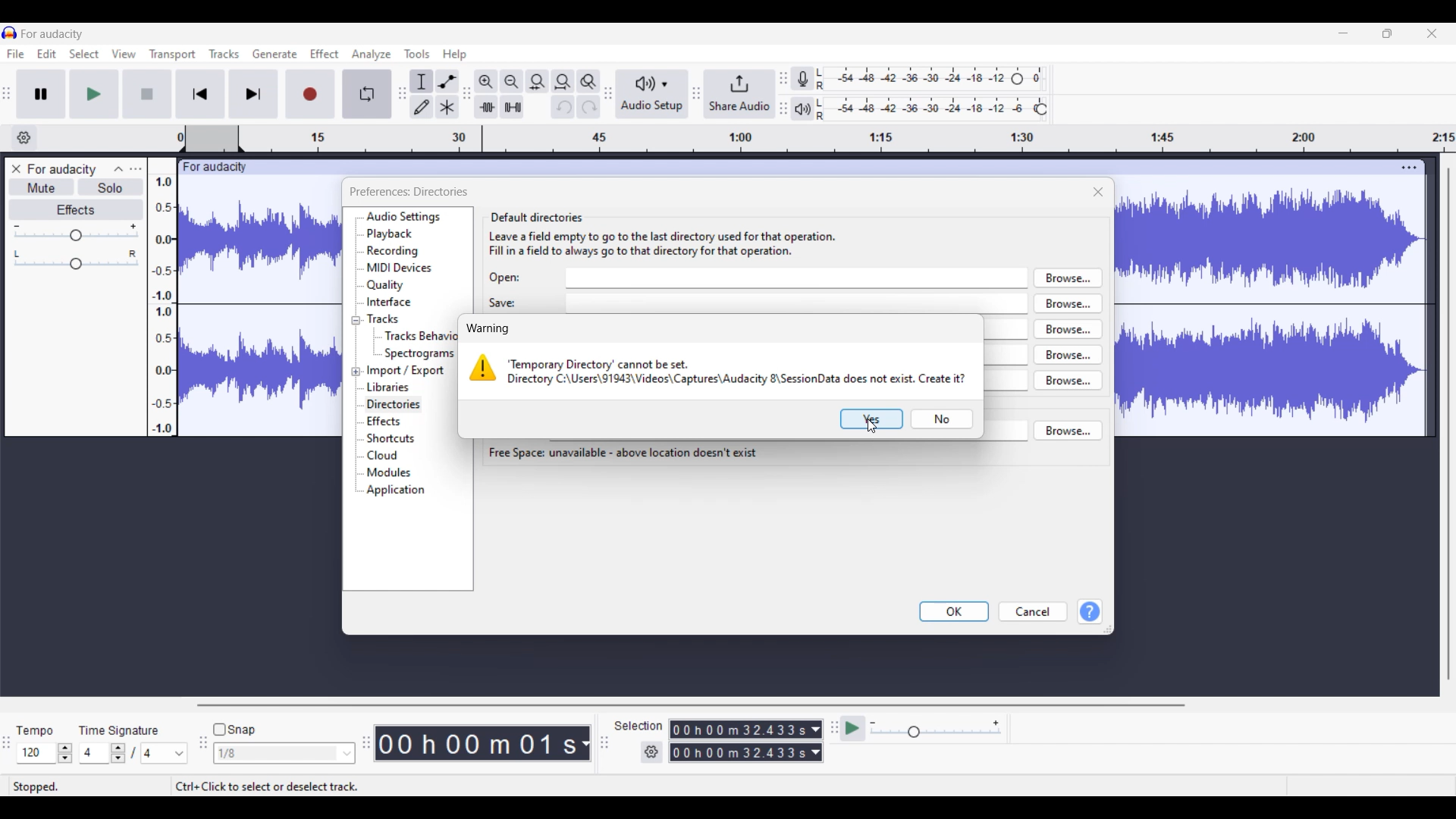  What do you see at coordinates (802, 78) in the screenshot?
I see `Record meter` at bounding box center [802, 78].